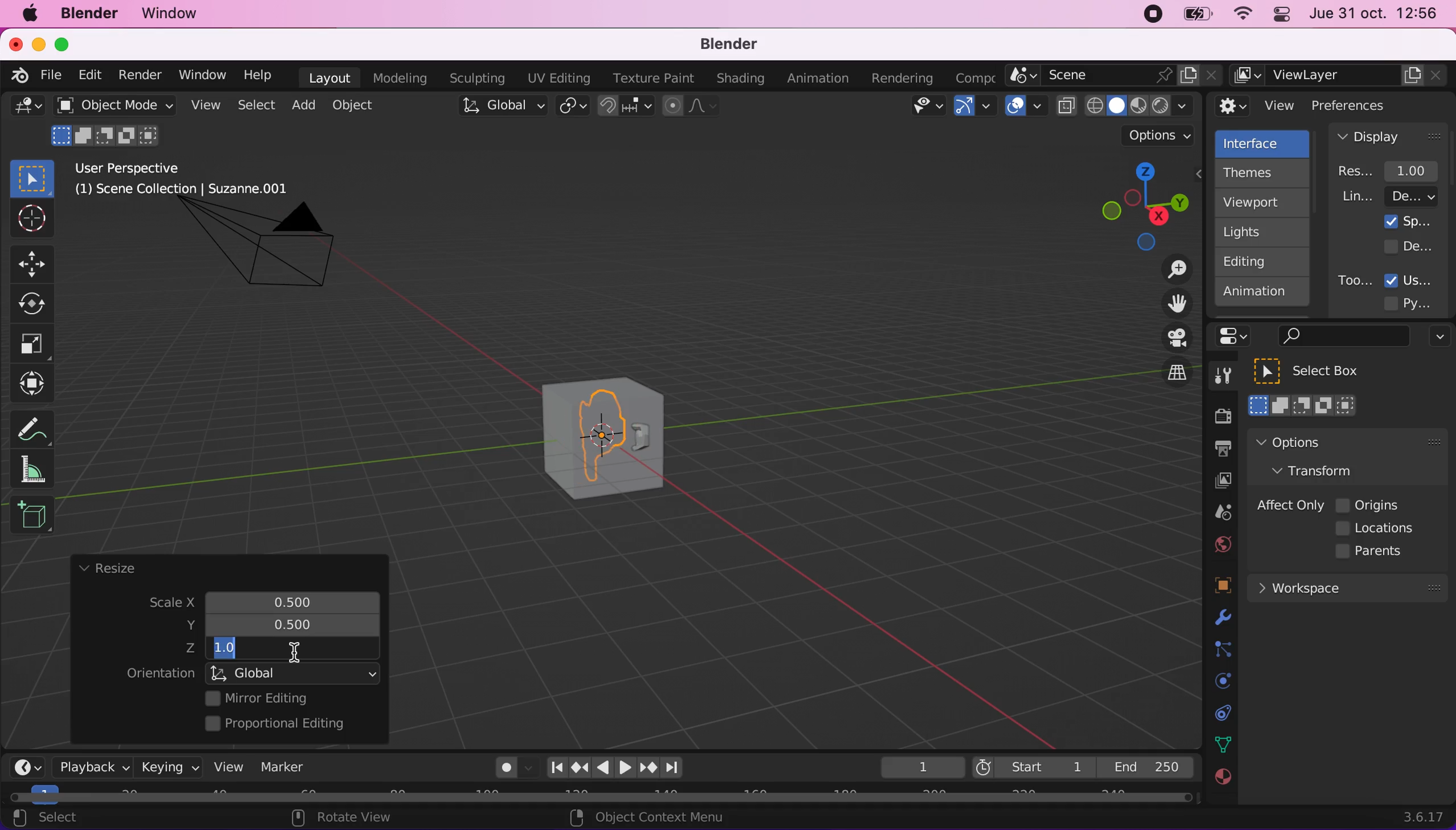 The height and width of the screenshot is (830, 1456). I want to click on rotate view, so click(353, 819).